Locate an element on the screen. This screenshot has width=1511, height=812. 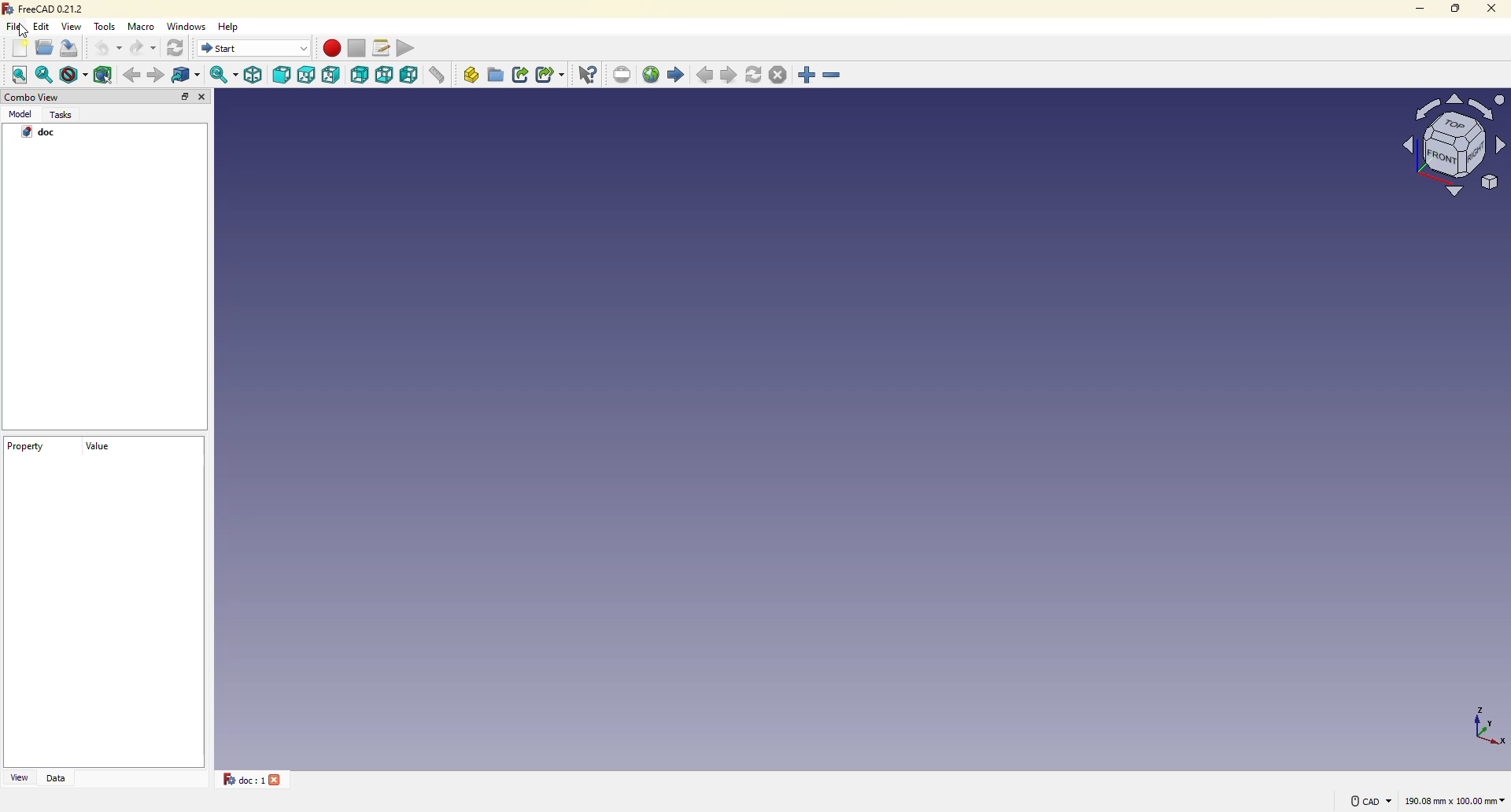
windows is located at coordinates (190, 26).